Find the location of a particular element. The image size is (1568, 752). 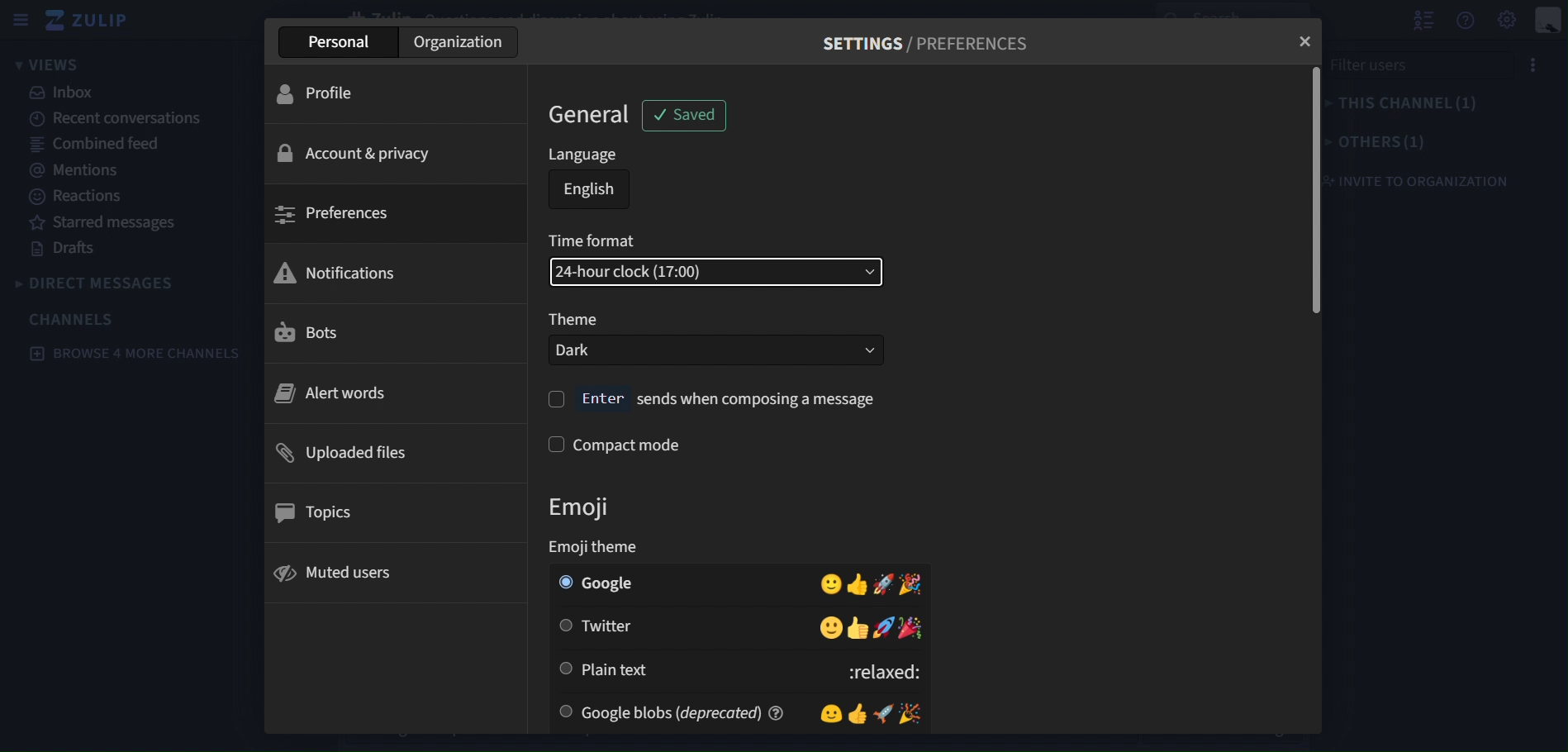

sidebar is located at coordinates (21, 22).